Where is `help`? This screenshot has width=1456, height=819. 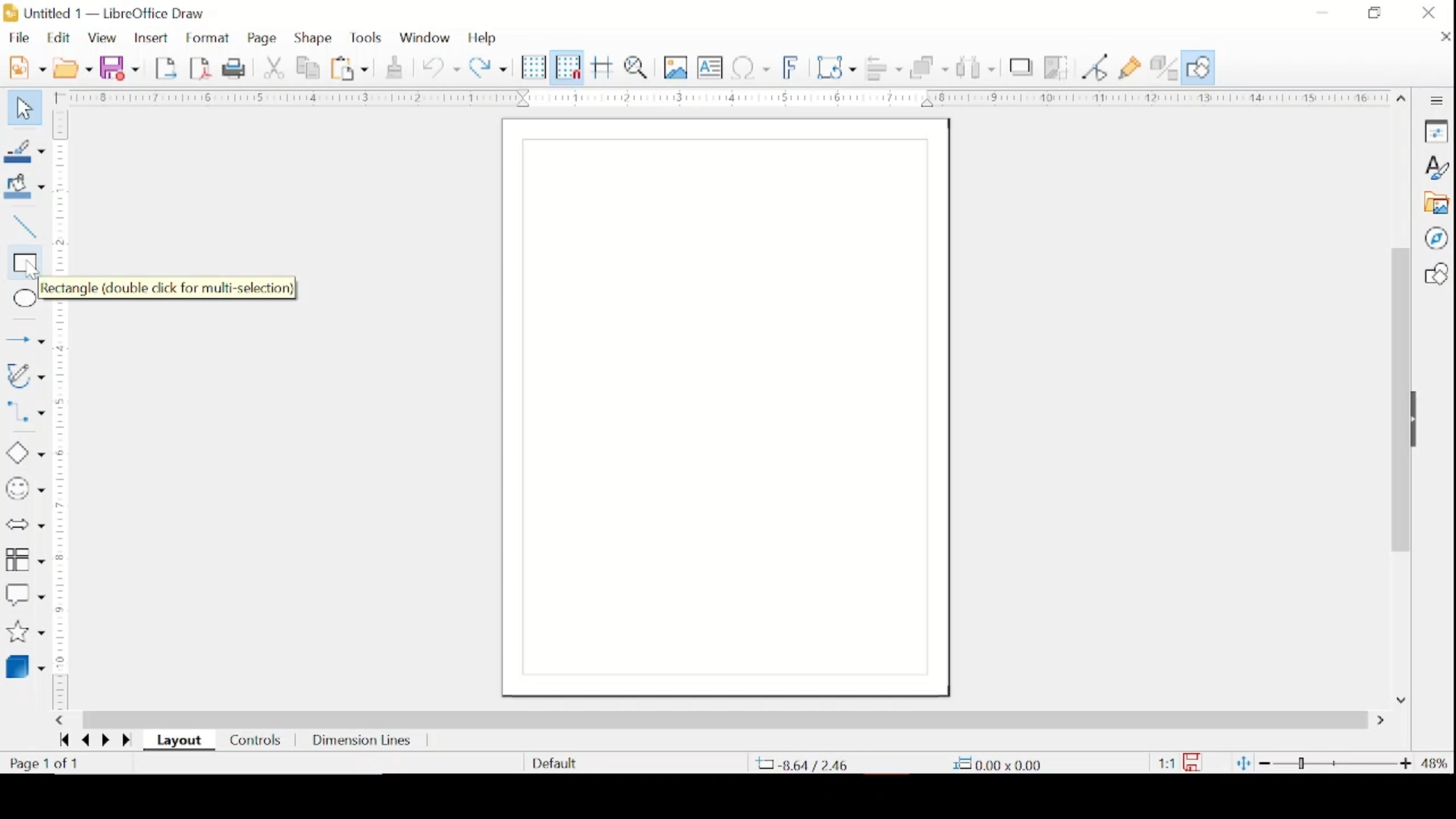
help is located at coordinates (484, 38).